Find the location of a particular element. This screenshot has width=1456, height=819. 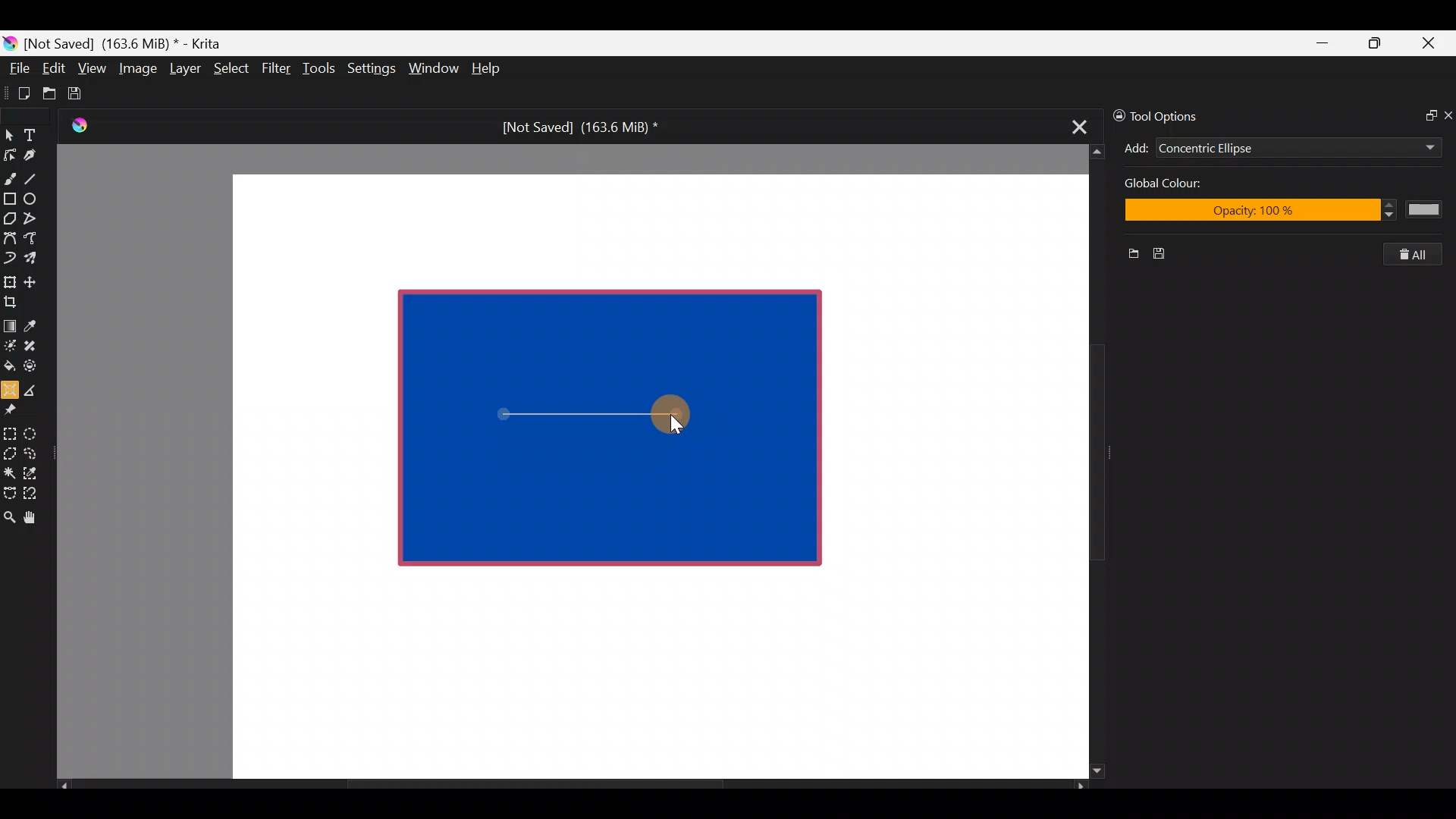

Edit is located at coordinates (53, 71).